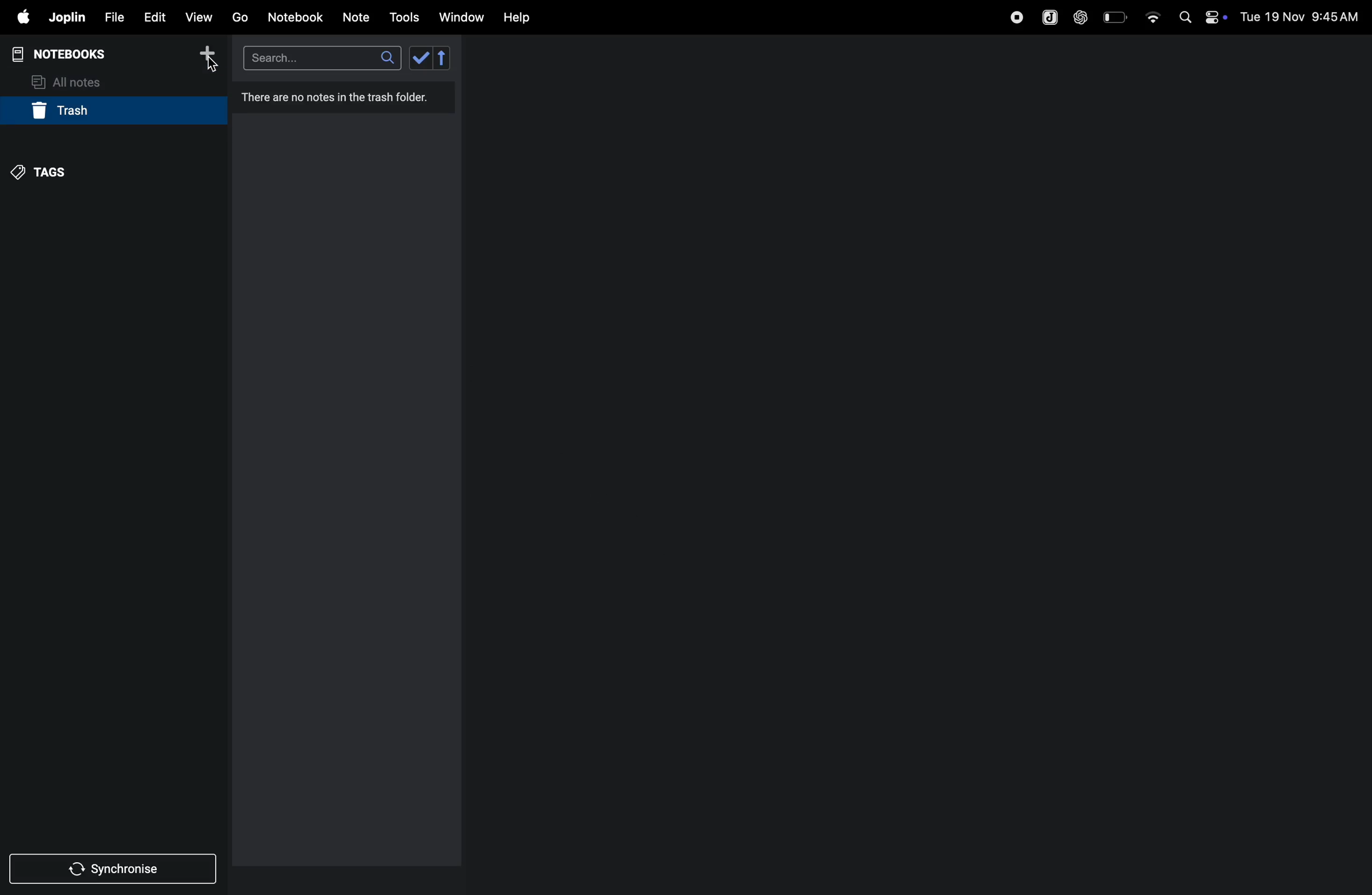 This screenshot has height=895, width=1372. I want to click on synchronise, so click(115, 870).